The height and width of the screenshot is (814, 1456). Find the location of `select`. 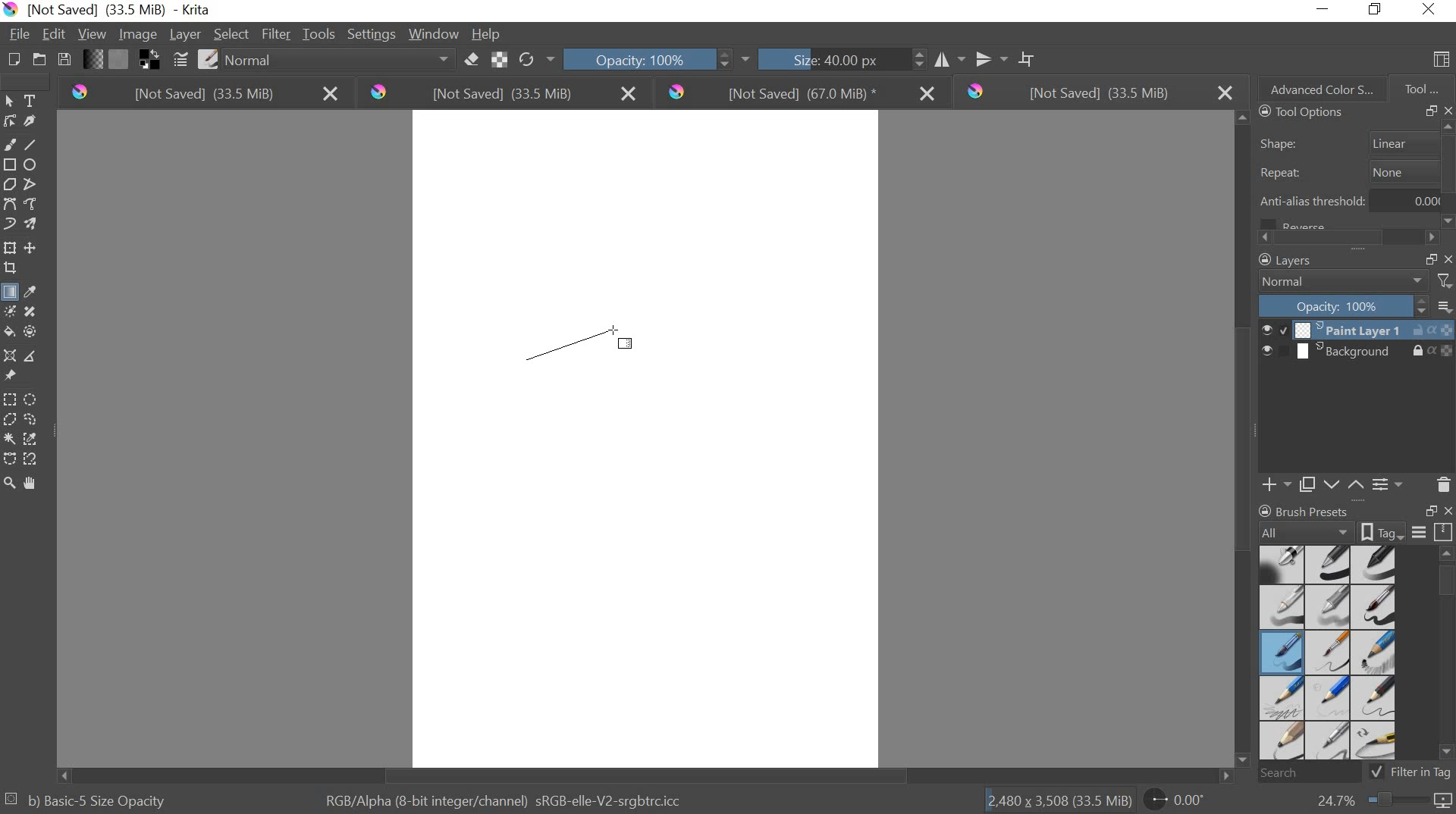

select is located at coordinates (12, 102).